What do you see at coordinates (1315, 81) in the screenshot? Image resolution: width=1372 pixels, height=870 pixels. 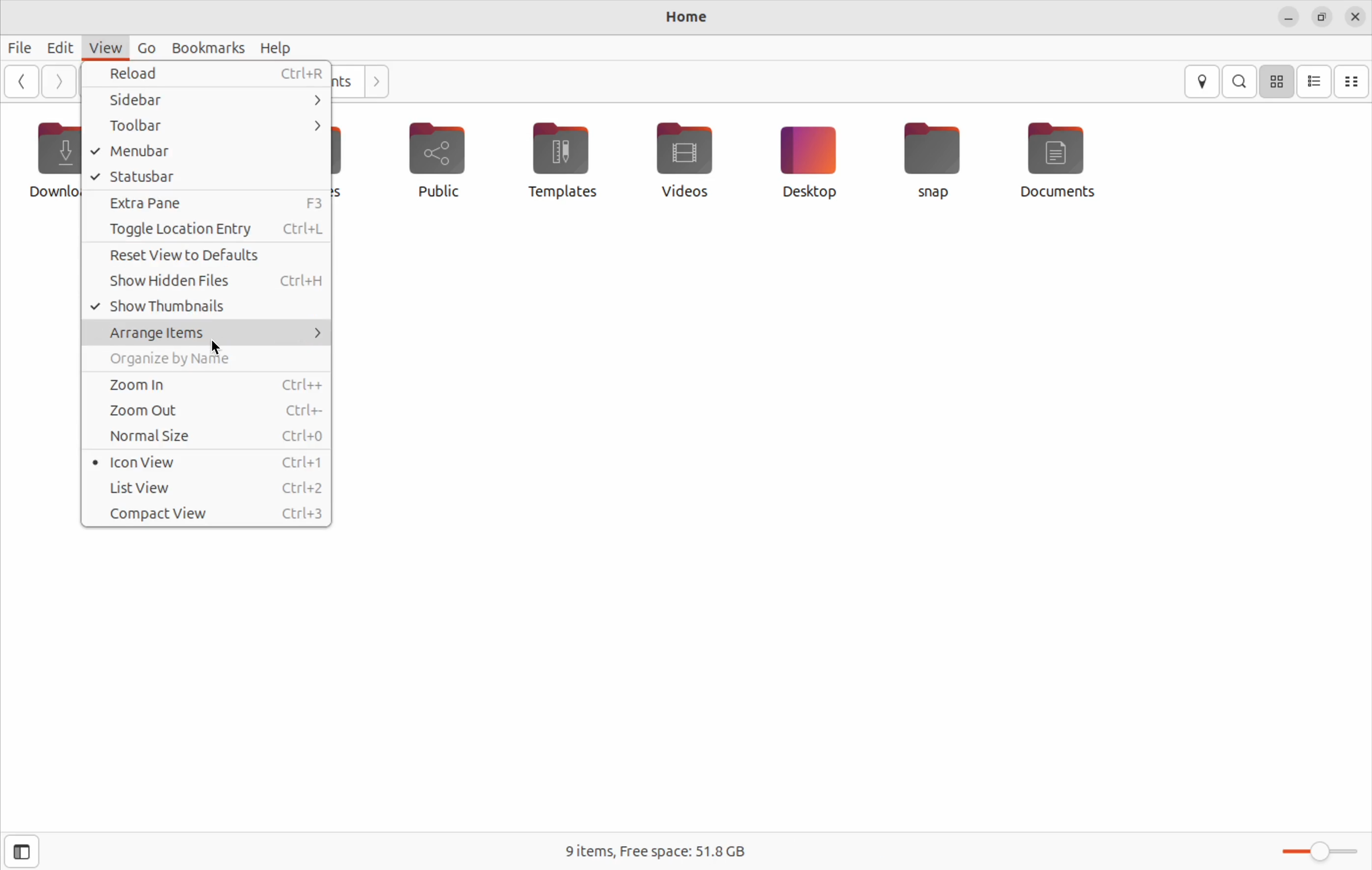 I see `icon view` at bounding box center [1315, 81].